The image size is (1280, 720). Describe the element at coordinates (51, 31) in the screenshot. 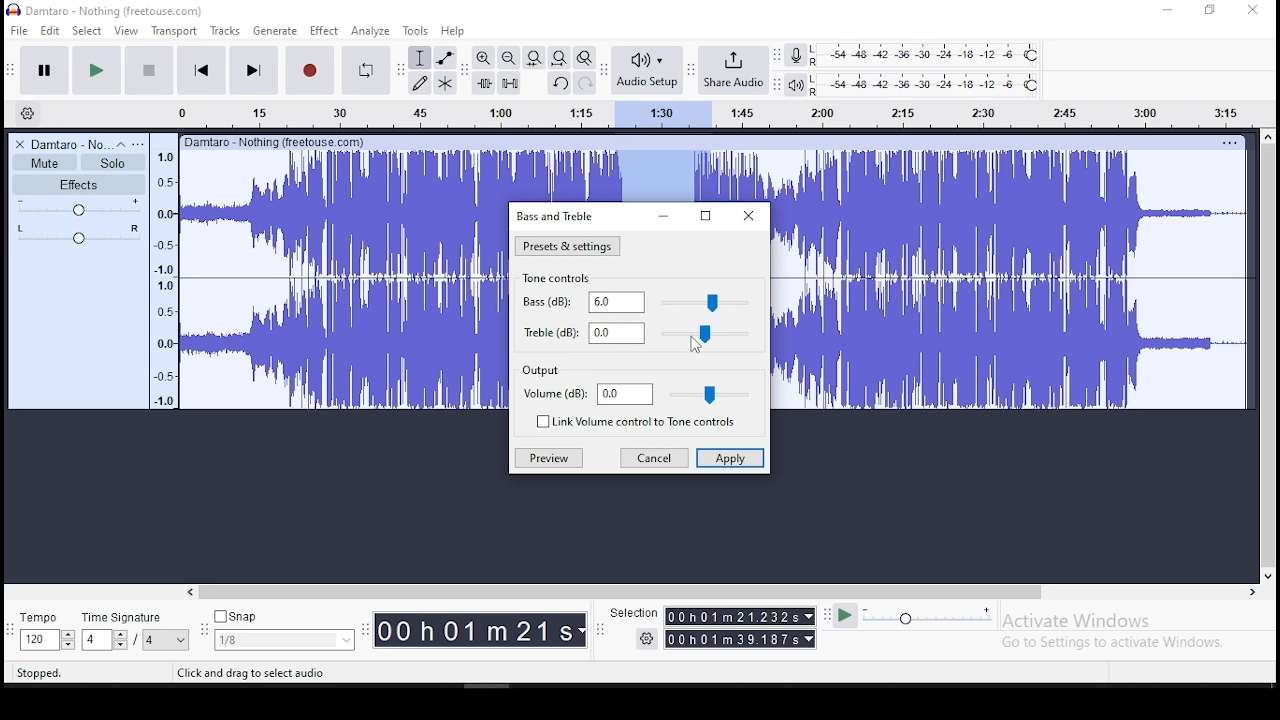

I see `edit` at that location.